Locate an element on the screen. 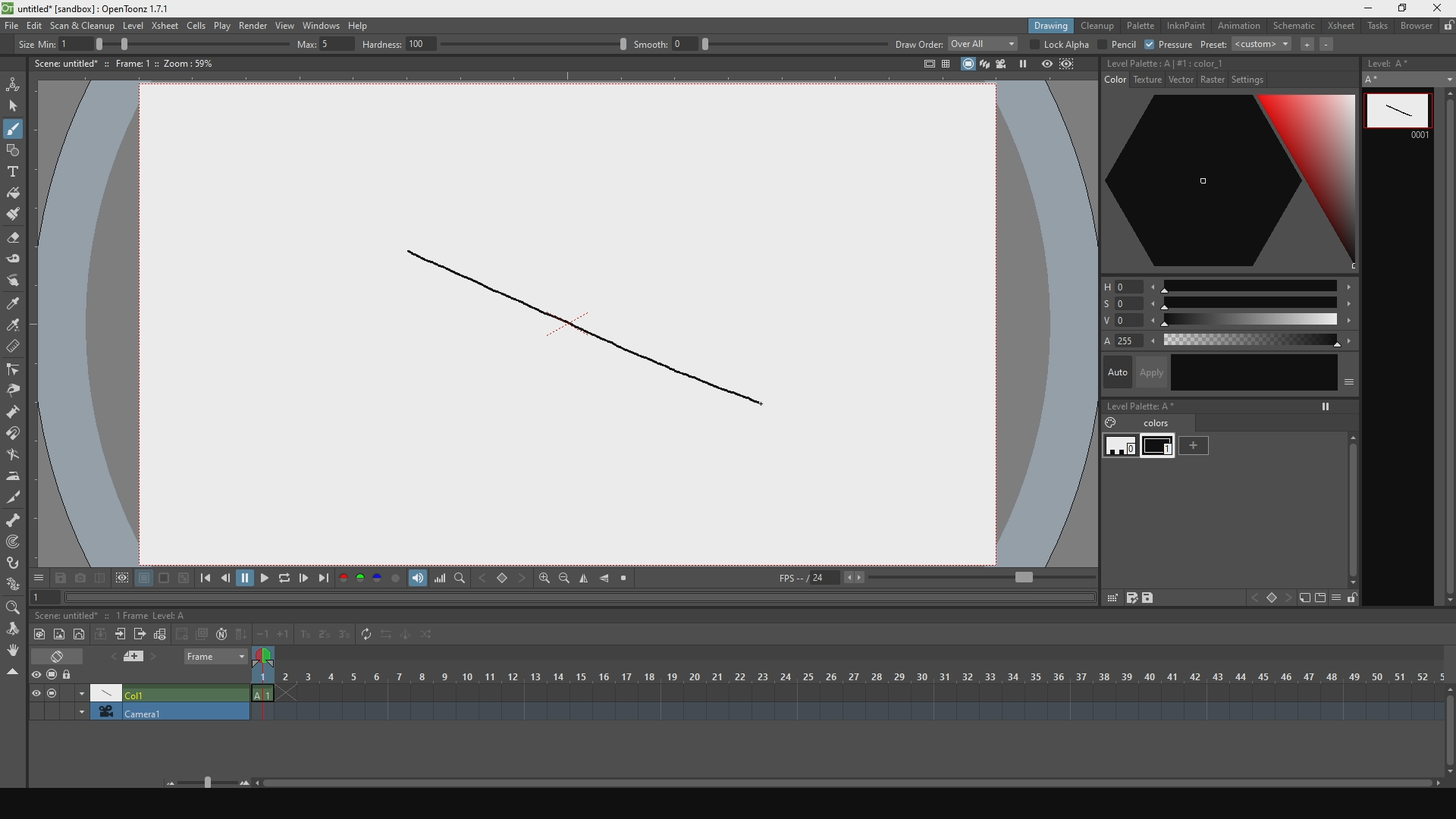 This screenshot has width=1456, height=819. select is located at coordinates (14, 106).